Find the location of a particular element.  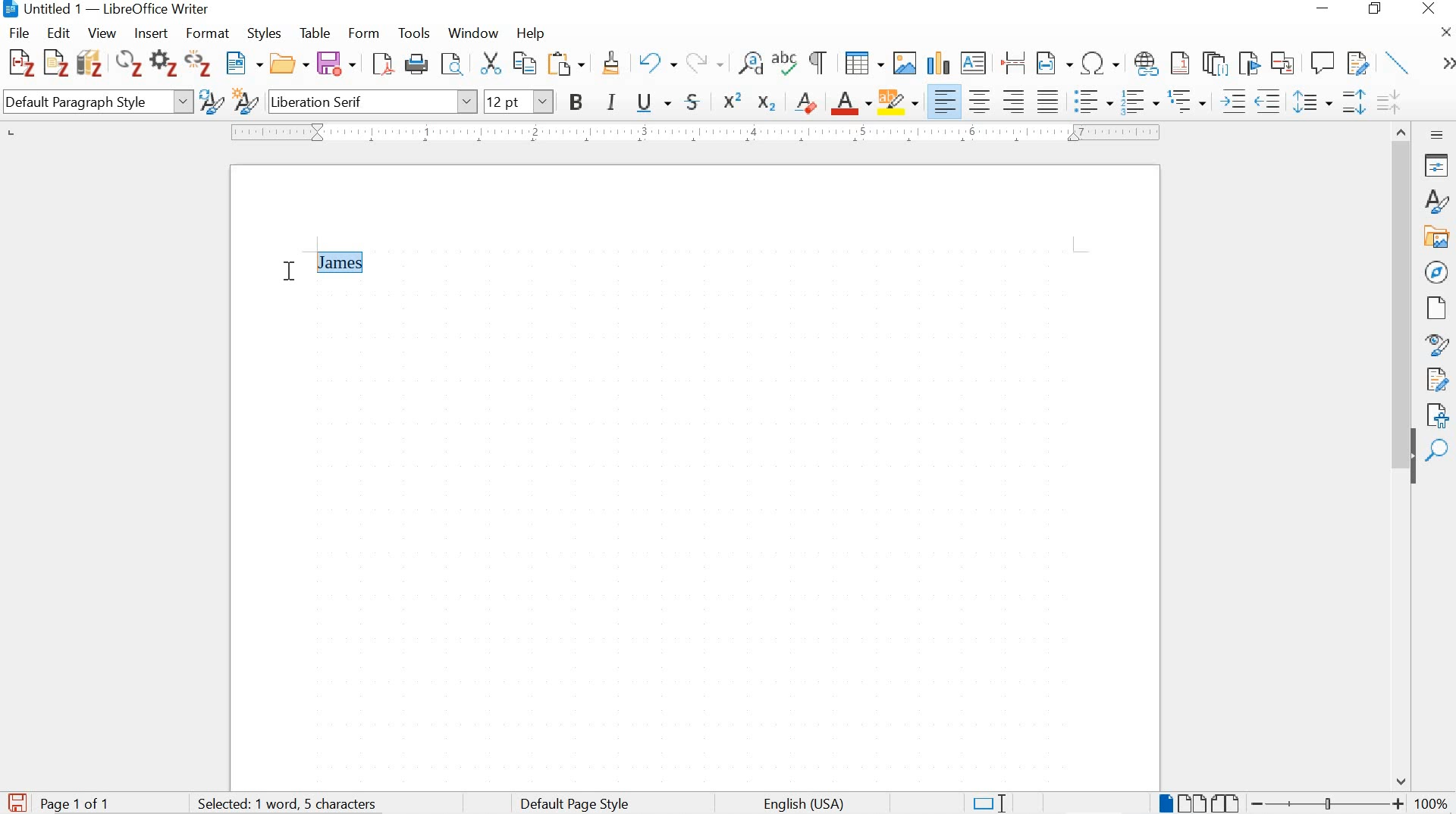

Toggle unorder list is located at coordinates (1091, 99).